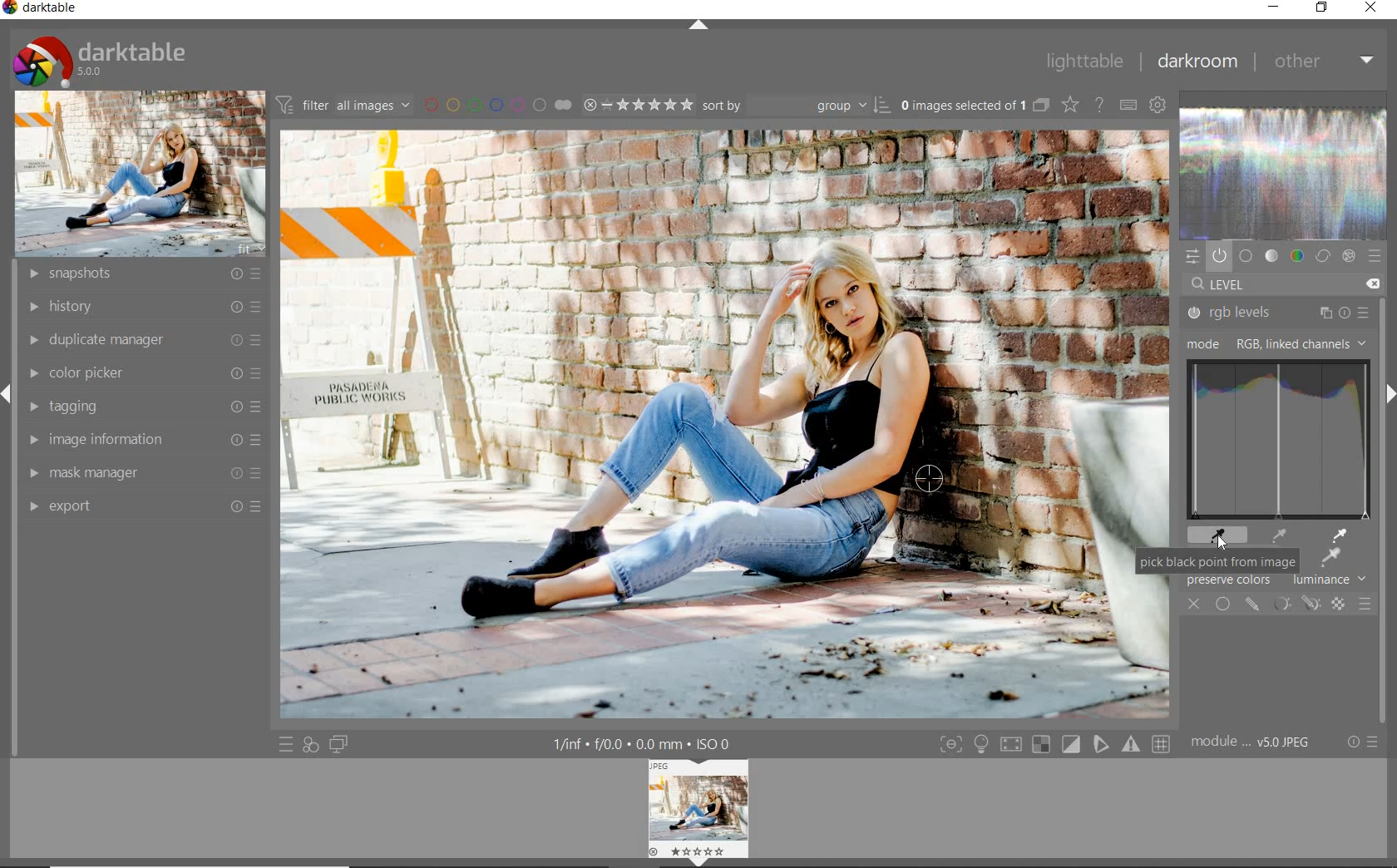  What do you see at coordinates (638, 106) in the screenshot?
I see `selected Image range rating` at bounding box center [638, 106].